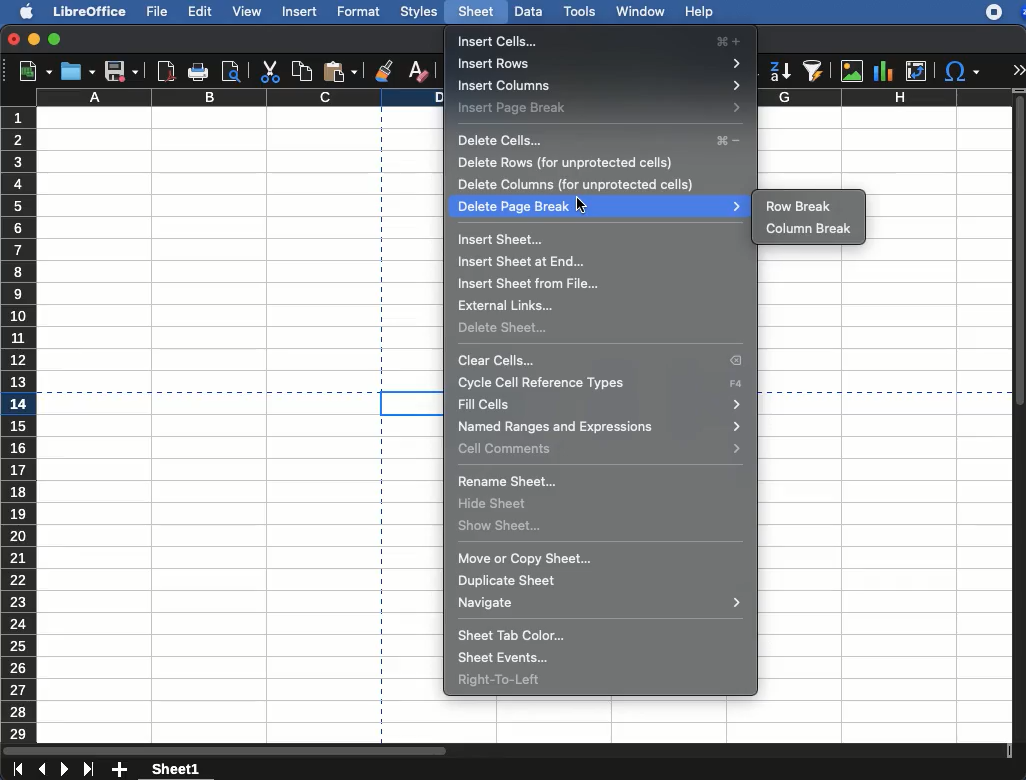 Image resolution: width=1026 pixels, height=780 pixels. Describe the element at coordinates (420, 11) in the screenshot. I see `styles` at that location.